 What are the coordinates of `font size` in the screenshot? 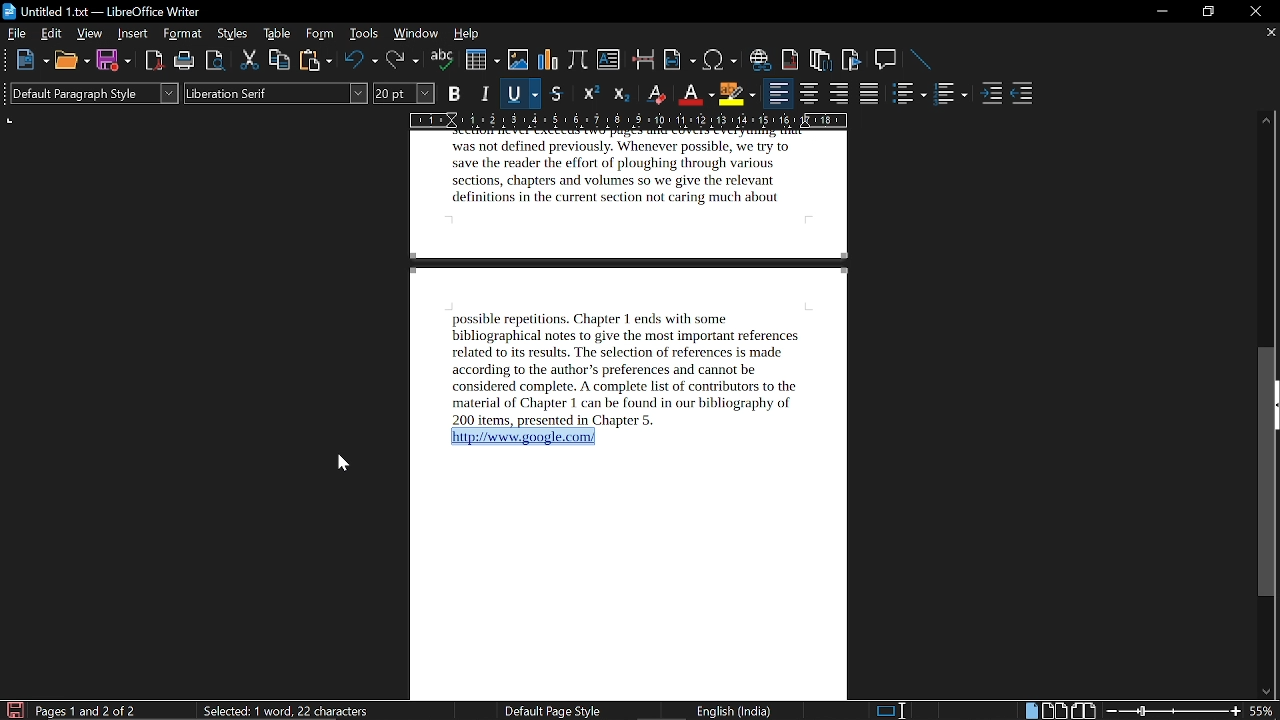 It's located at (405, 93).